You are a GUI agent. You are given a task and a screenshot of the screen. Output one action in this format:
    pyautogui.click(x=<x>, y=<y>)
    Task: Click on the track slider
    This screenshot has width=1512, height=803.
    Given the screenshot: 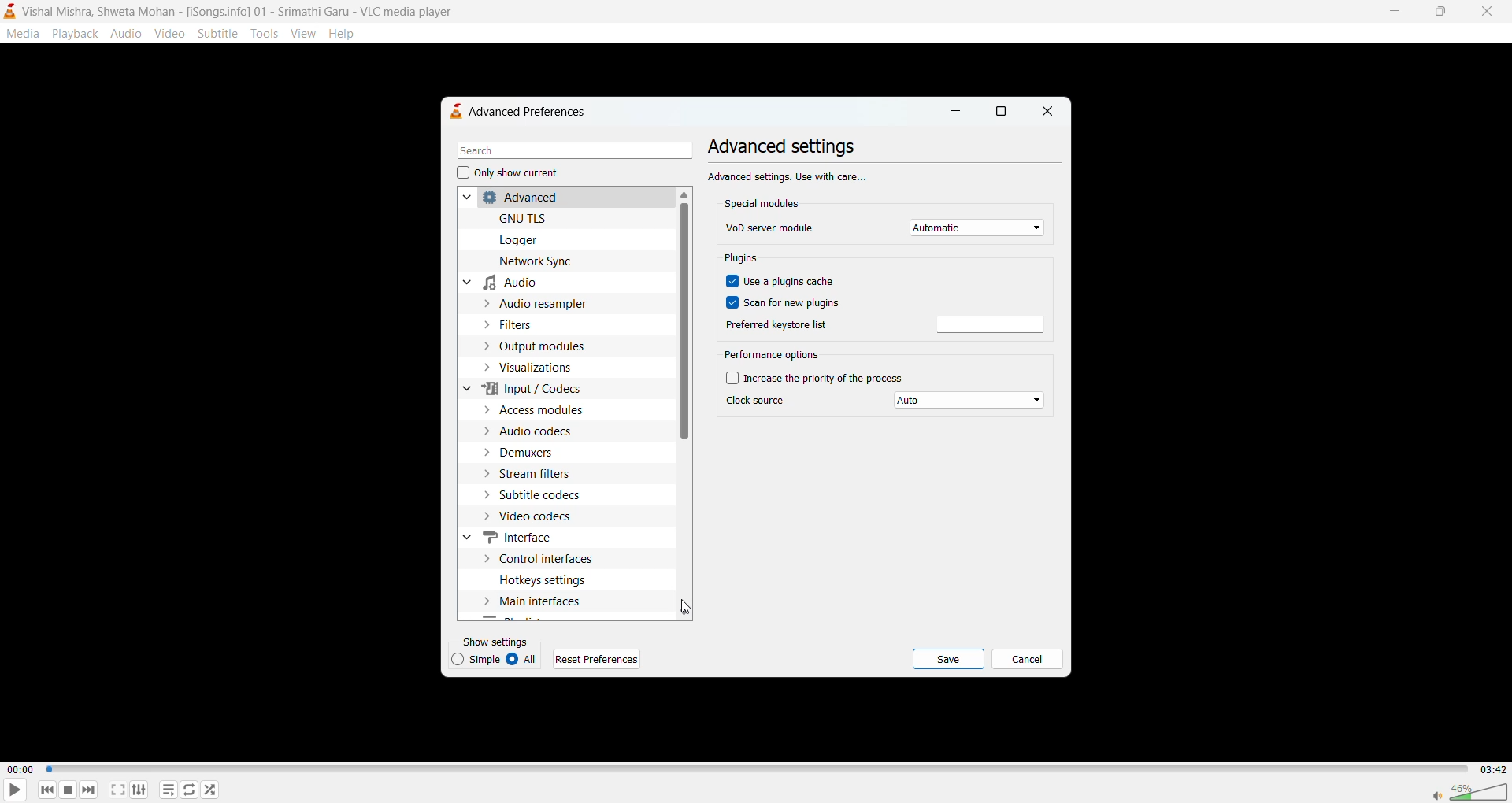 What is the action you would take?
    pyautogui.click(x=754, y=770)
    